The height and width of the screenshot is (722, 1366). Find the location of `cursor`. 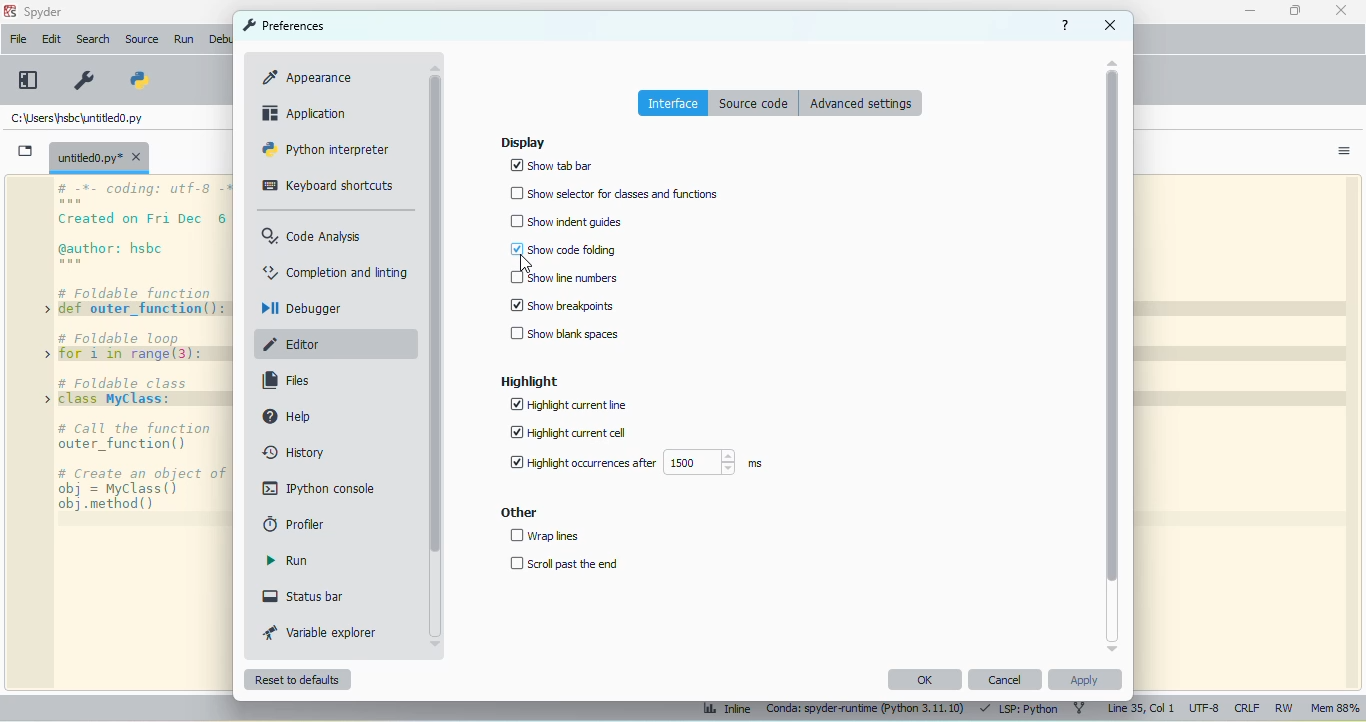

cursor is located at coordinates (524, 263).